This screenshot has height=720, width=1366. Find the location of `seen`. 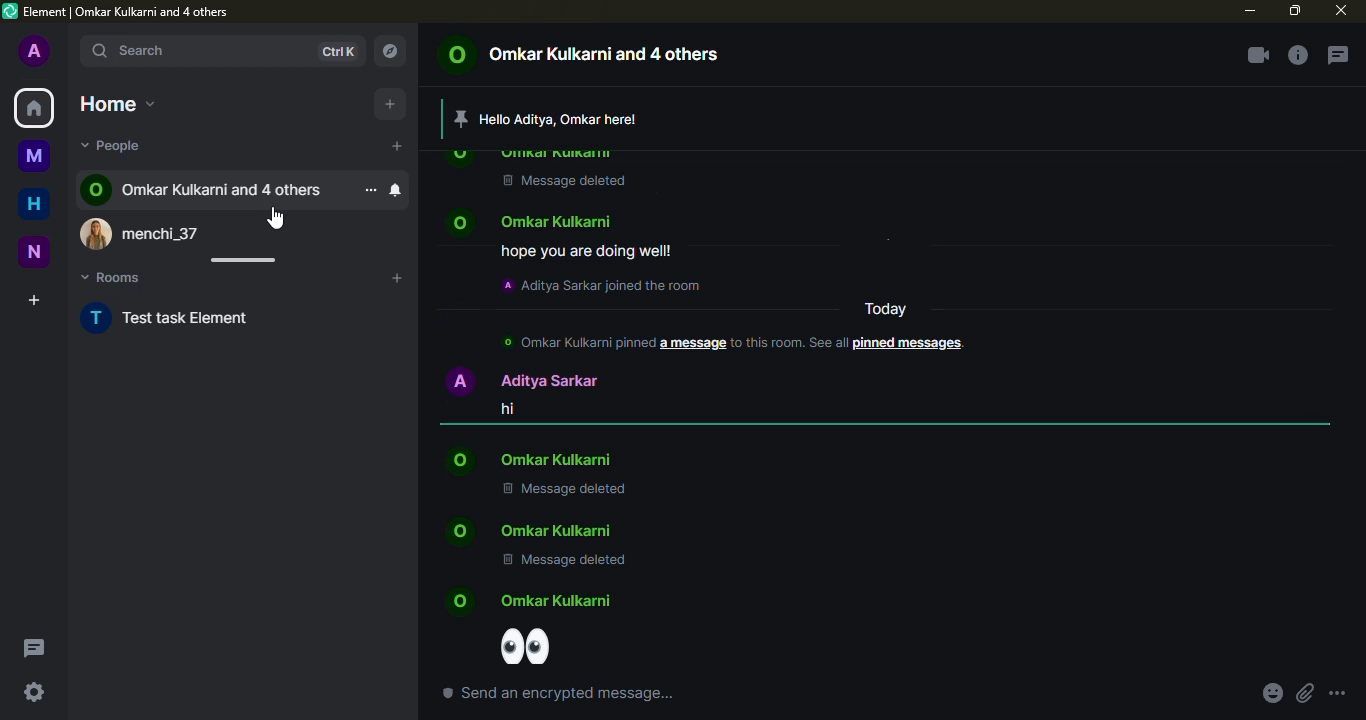

seen is located at coordinates (1301, 633).